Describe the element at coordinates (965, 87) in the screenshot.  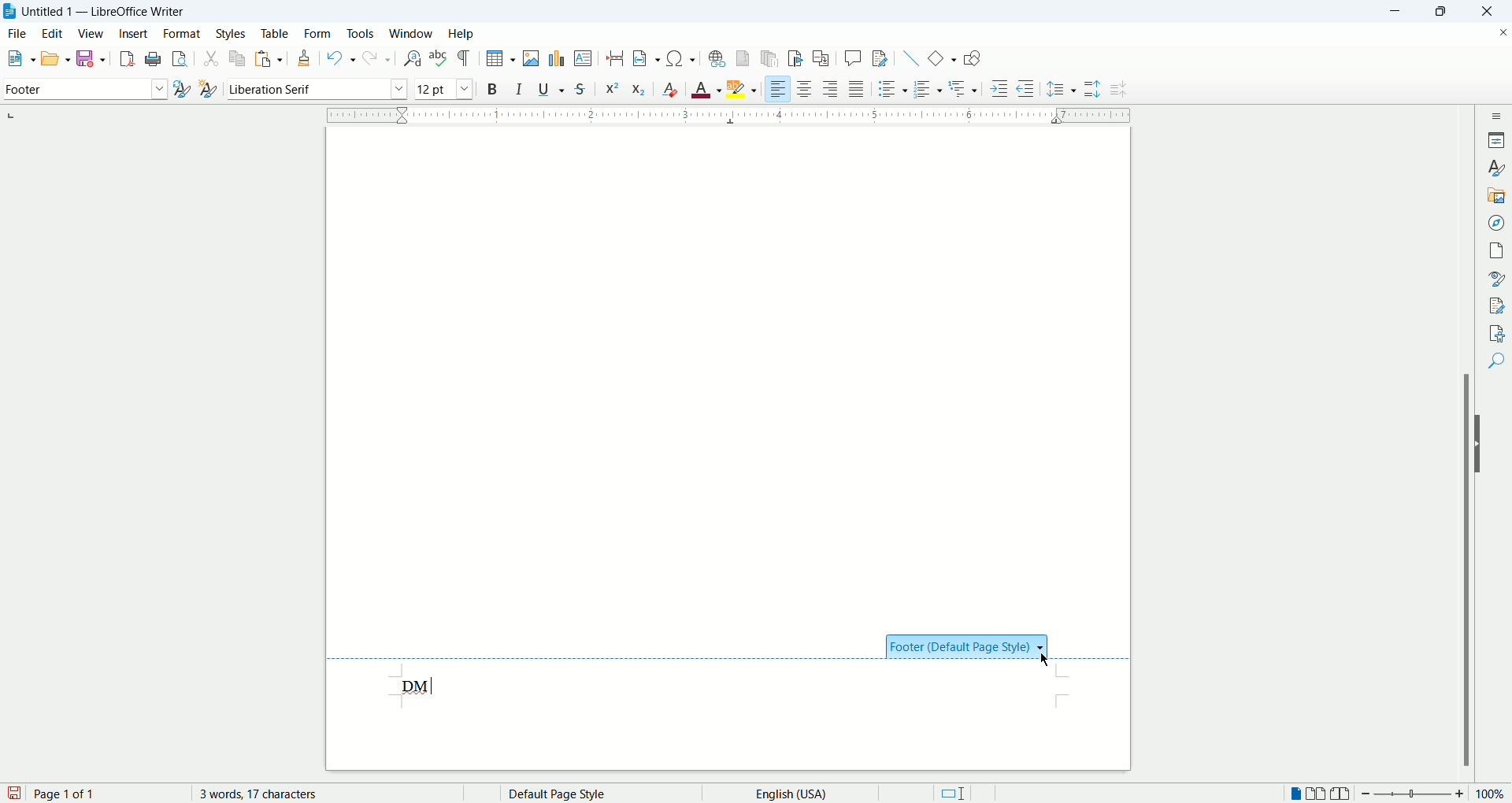
I see `outline` at that location.